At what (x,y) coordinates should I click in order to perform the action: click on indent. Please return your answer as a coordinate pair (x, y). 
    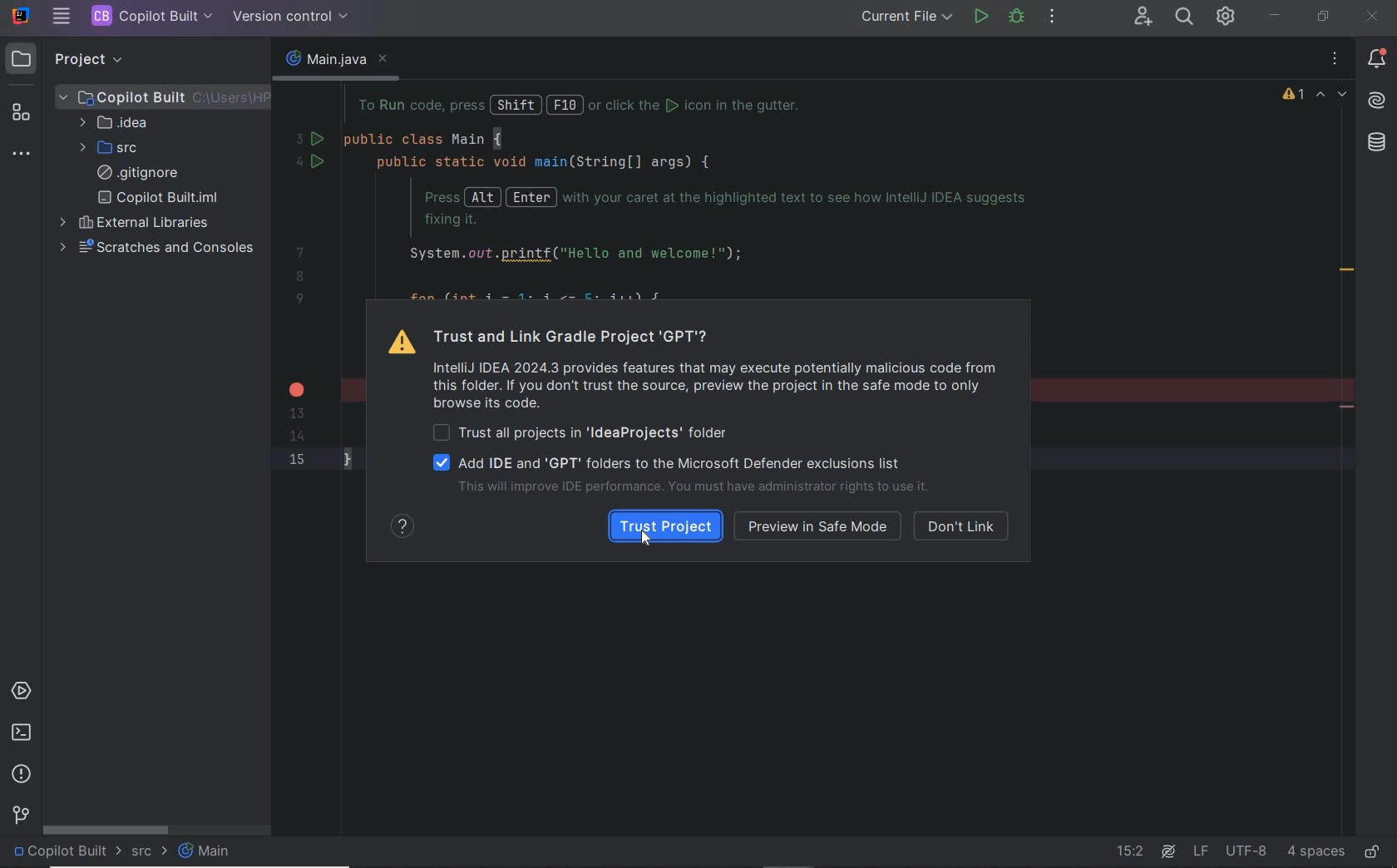
    Looking at the image, I should click on (1314, 852).